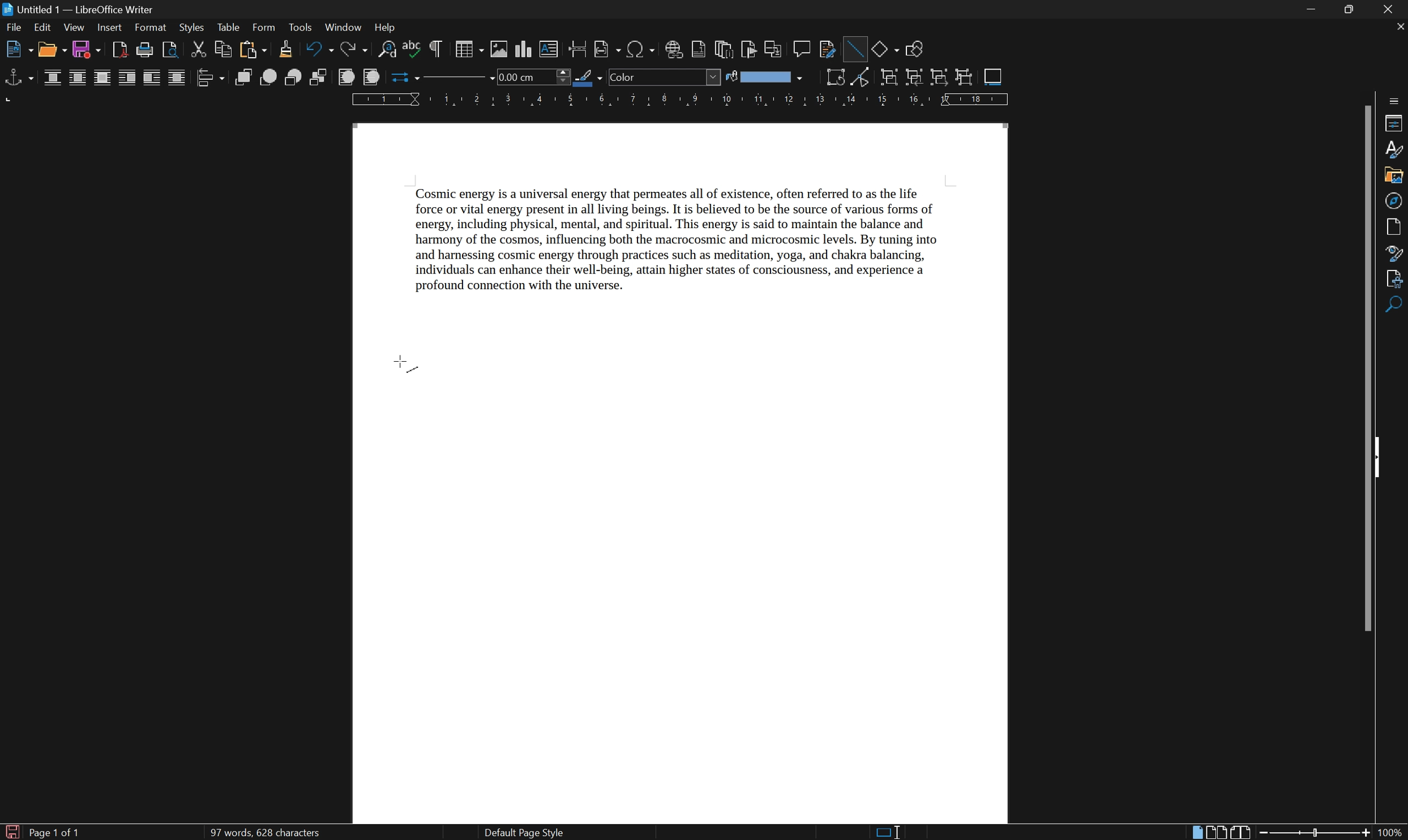 The image size is (1408, 840). What do you see at coordinates (412, 50) in the screenshot?
I see `spell checking` at bounding box center [412, 50].